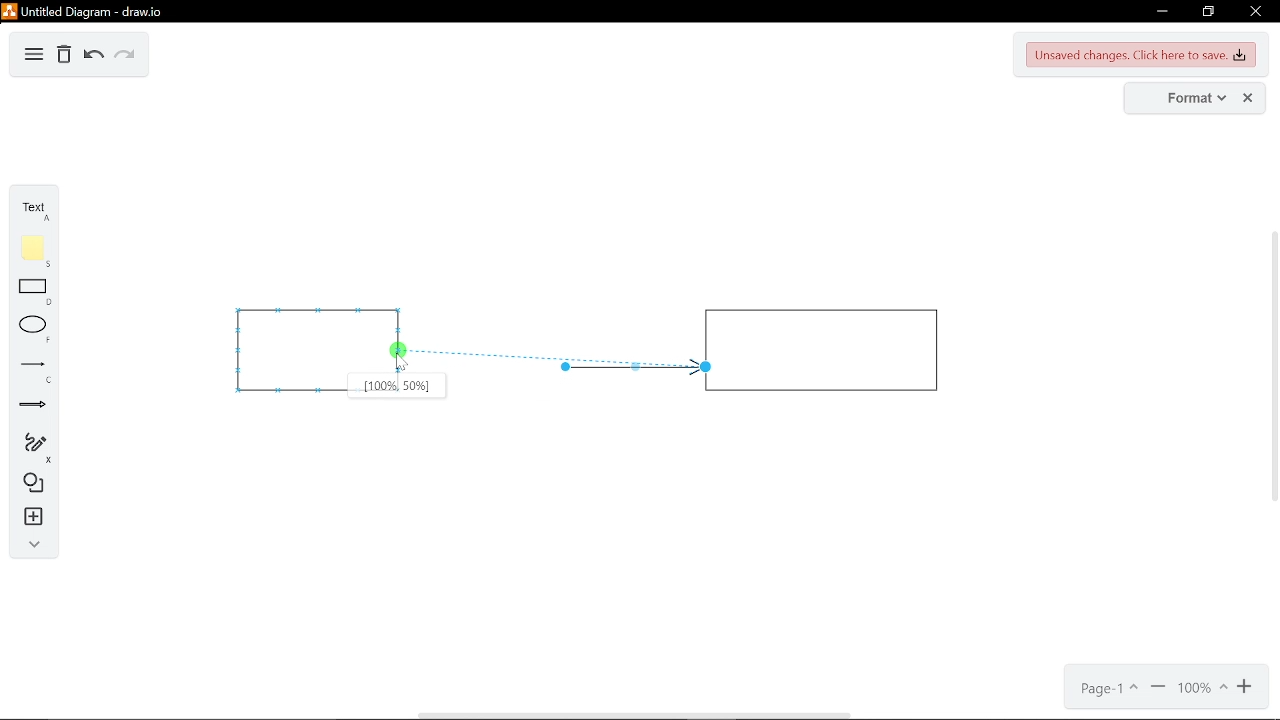 This screenshot has height=720, width=1280. What do you see at coordinates (34, 55) in the screenshot?
I see `diagram` at bounding box center [34, 55].